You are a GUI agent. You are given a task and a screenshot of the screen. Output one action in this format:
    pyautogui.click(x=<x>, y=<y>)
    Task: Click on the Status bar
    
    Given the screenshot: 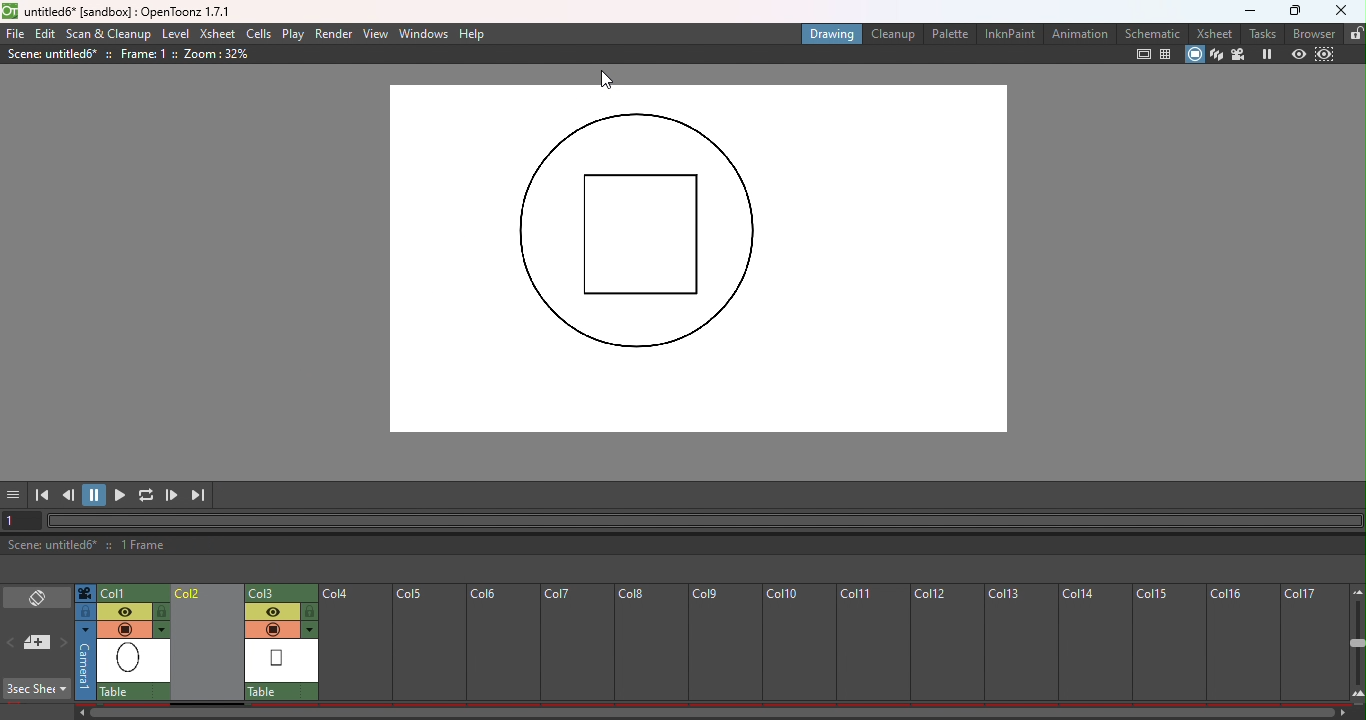 What is the action you would take?
    pyautogui.click(x=682, y=546)
    